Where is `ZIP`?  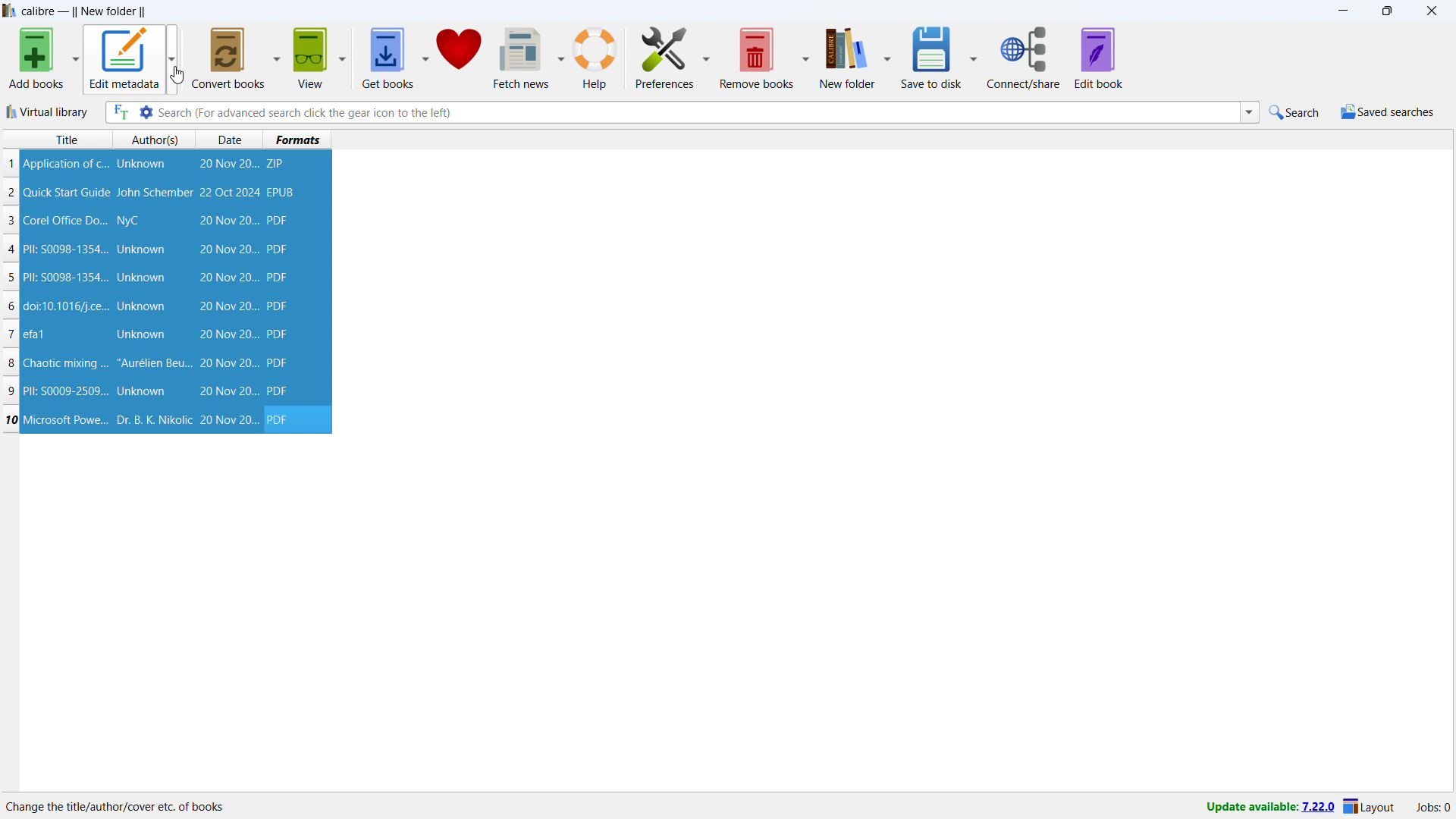
ZIP is located at coordinates (278, 164).